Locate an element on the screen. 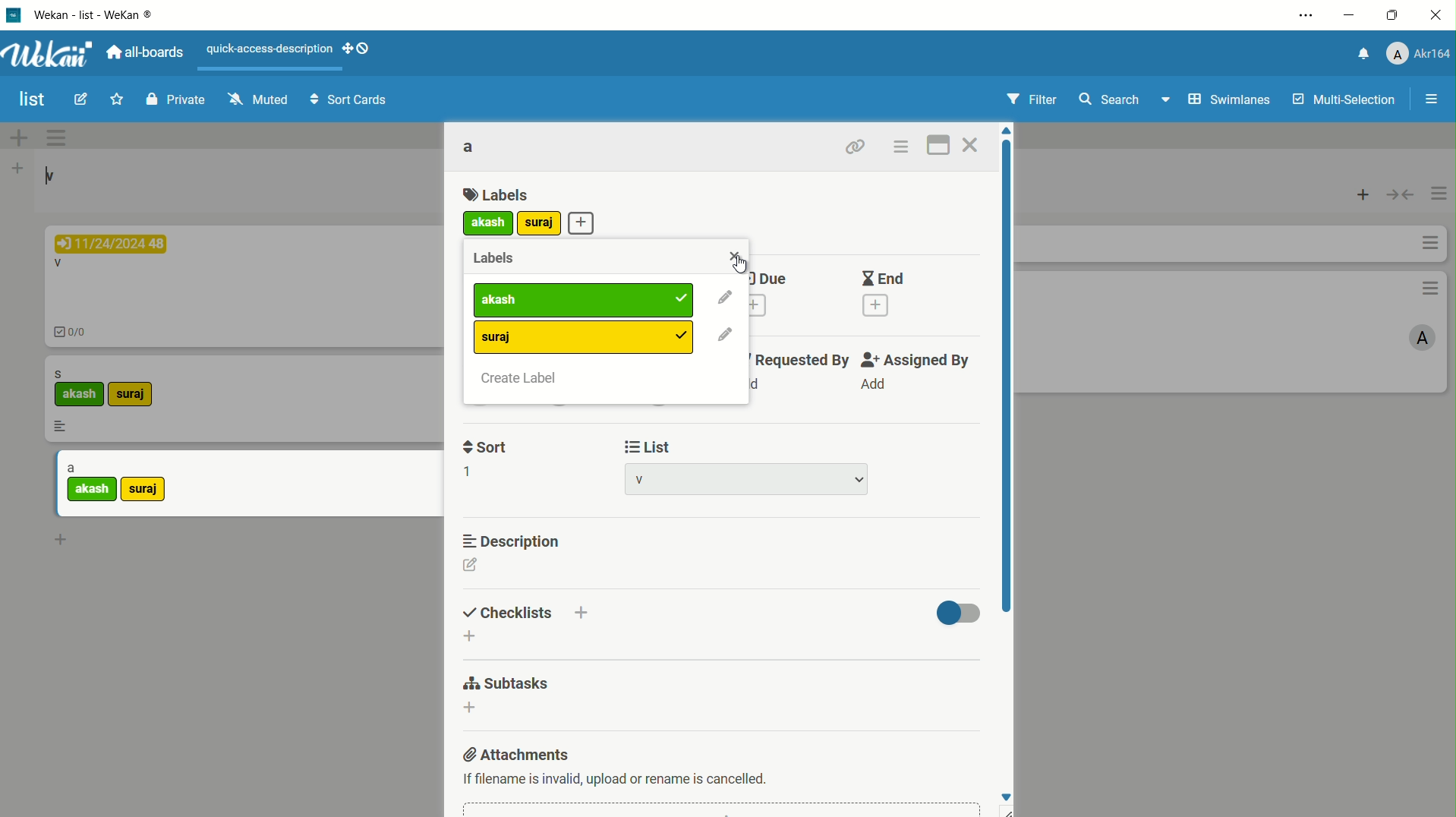 This screenshot has height=817, width=1456. minimize is located at coordinates (1351, 17).